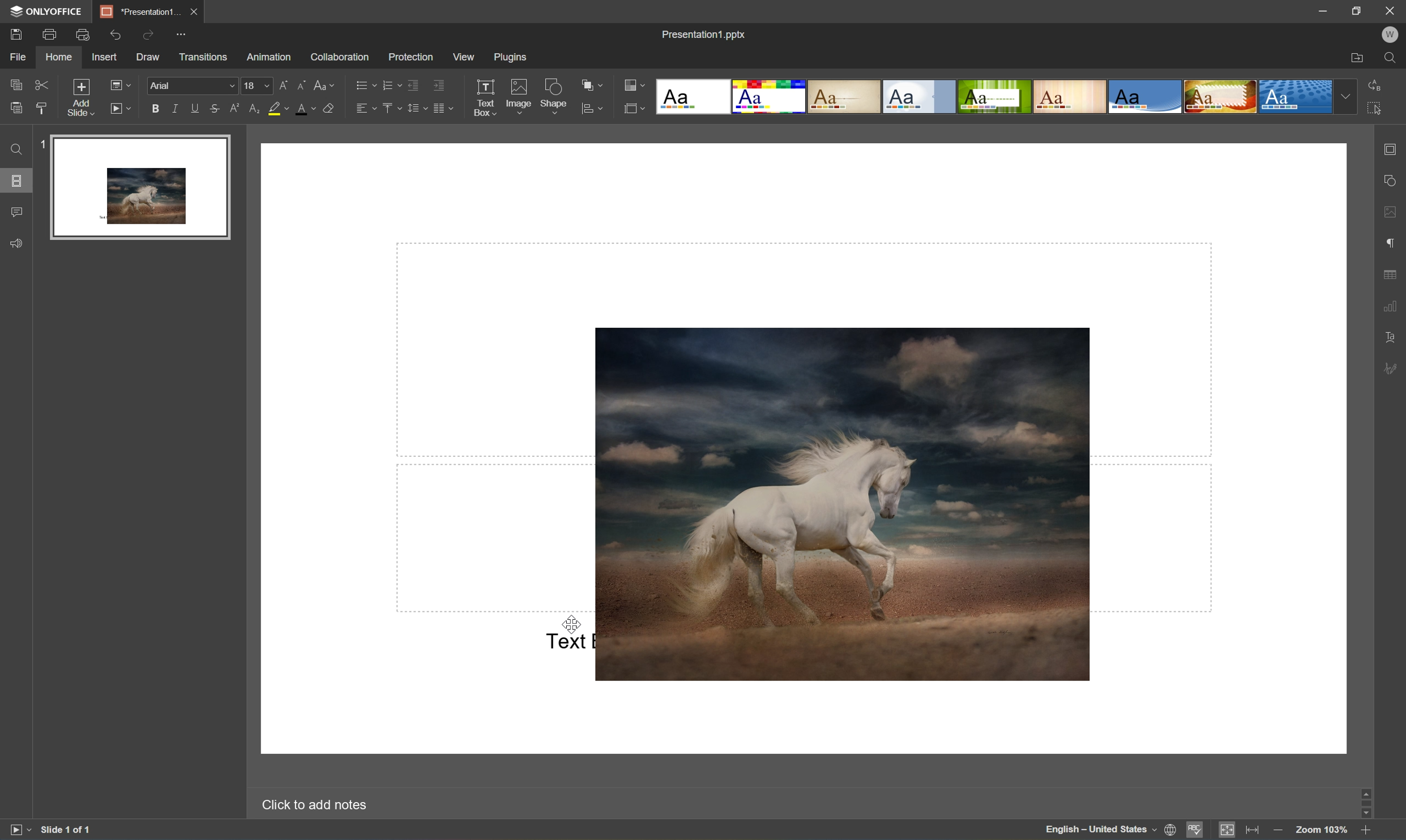 The image size is (1406, 840). Describe the element at coordinates (705, 35) in the screenshot. I see `Presentation1.pptx` at that location.